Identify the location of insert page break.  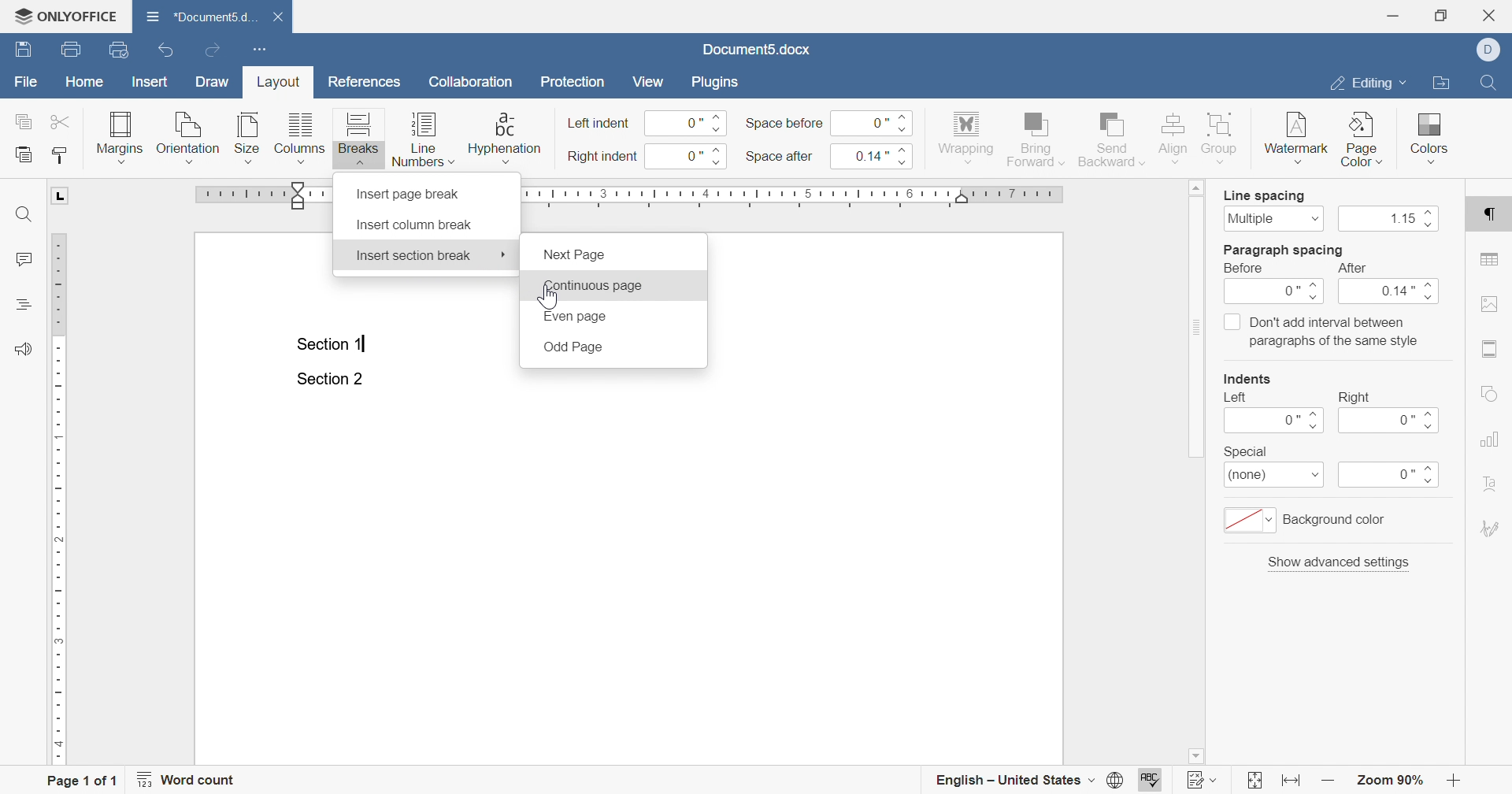
(411, 194).